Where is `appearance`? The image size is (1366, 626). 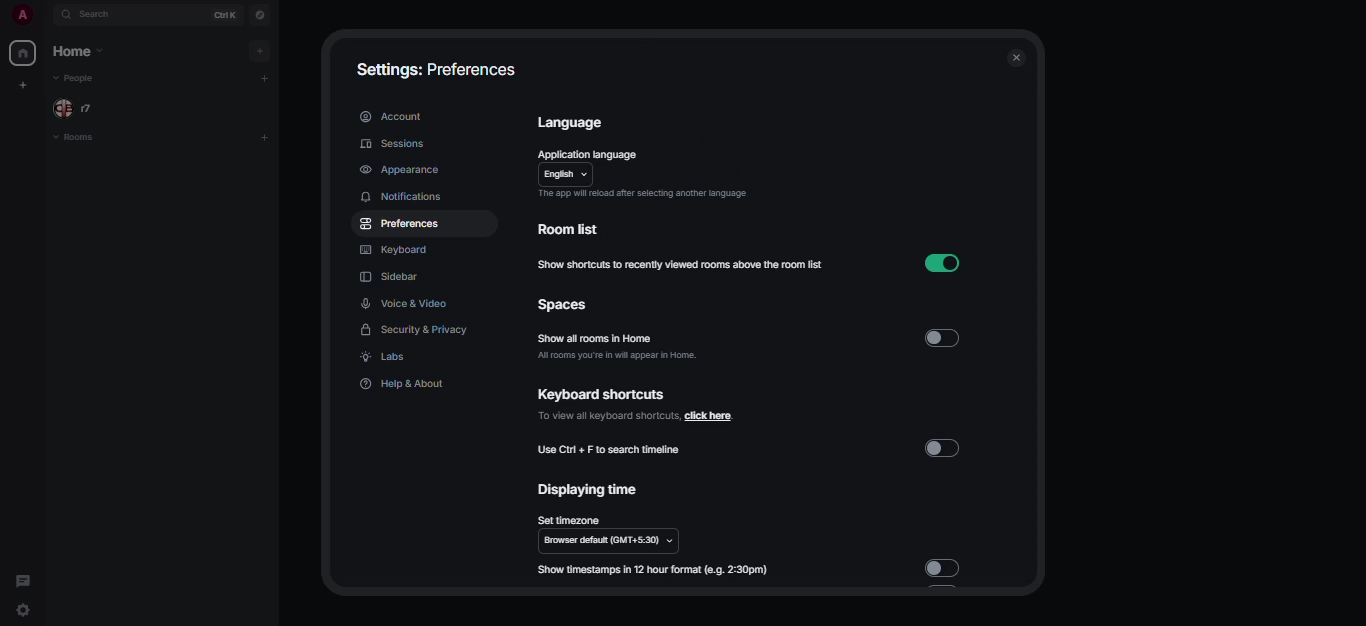
appearance is located at coordinates (400, 170).